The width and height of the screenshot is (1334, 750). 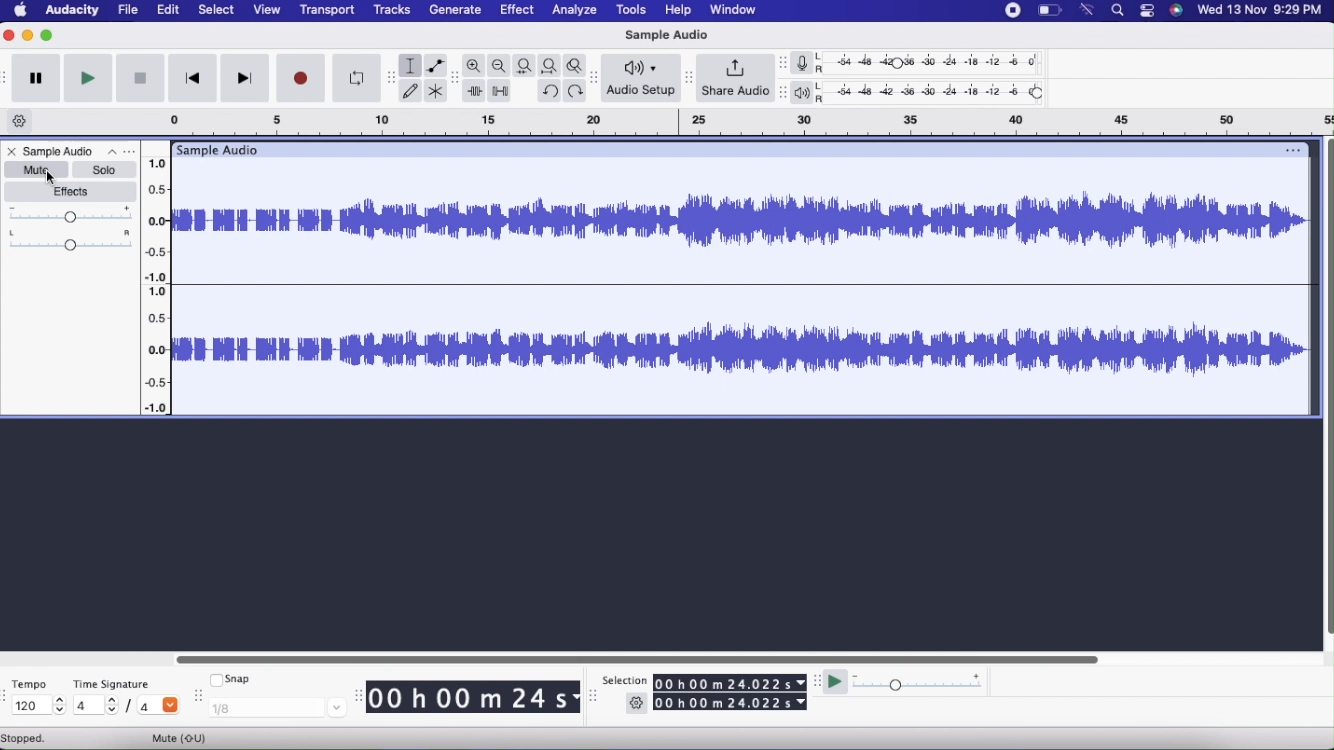 What do you see at coordinates (730, 704) in the screenshot?
I see `00 h 00 m 24.022s` at bounding box center [730, 704].